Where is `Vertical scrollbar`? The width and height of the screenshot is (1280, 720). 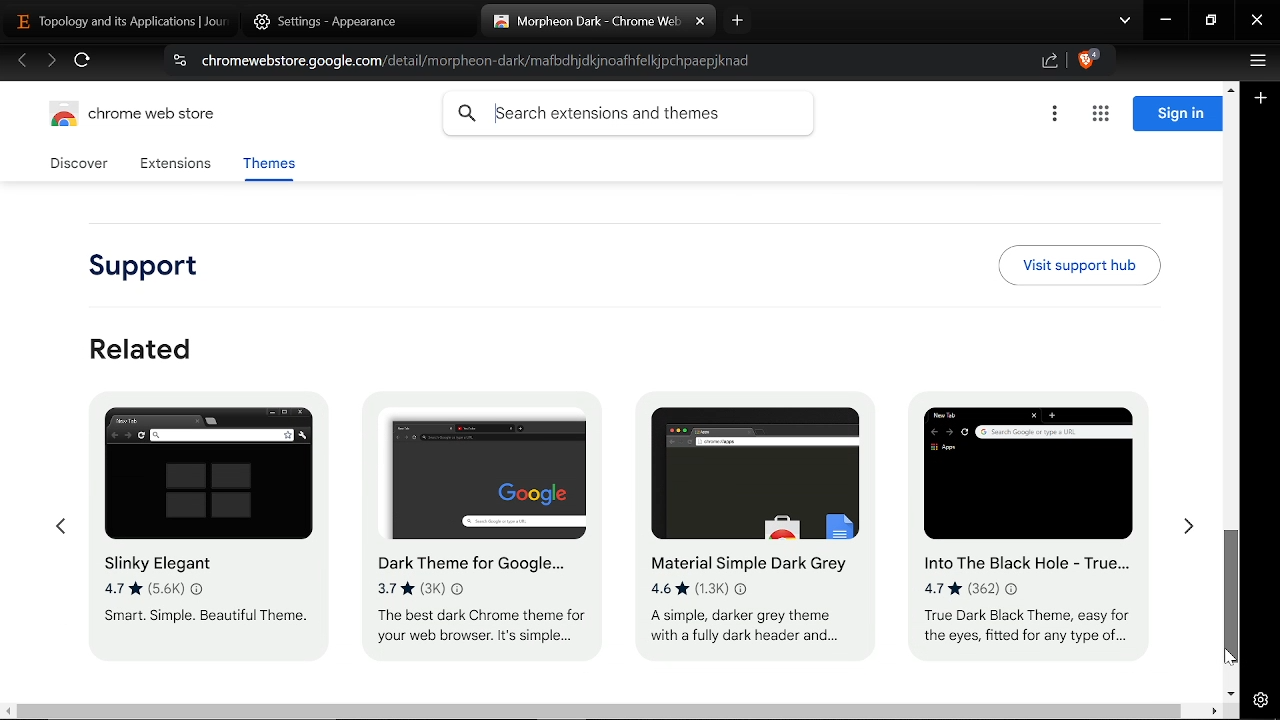 Vertical scrollbar is located at coordinates (1232, 596).